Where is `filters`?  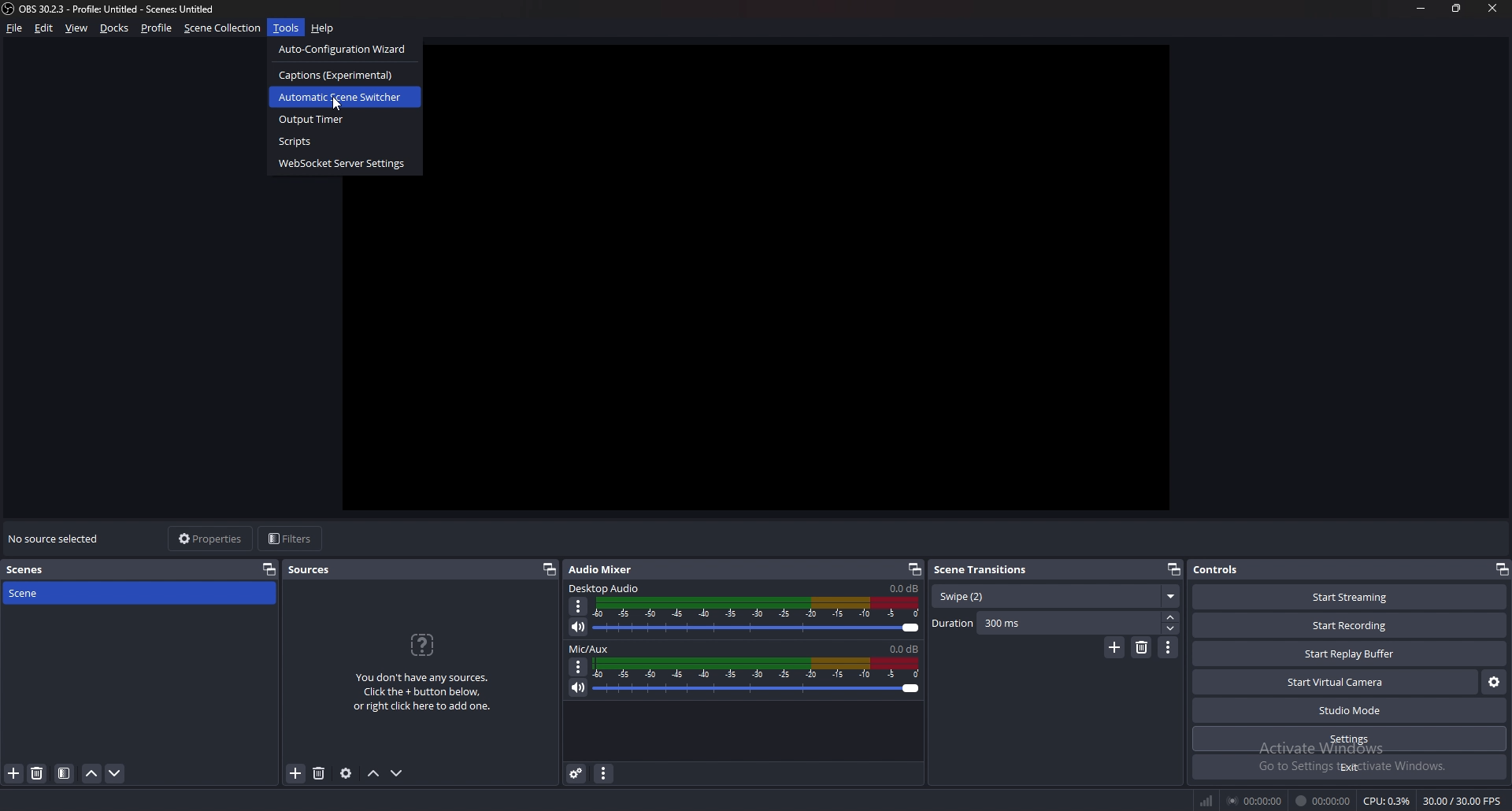
filters is located at coordinates (292, 538).